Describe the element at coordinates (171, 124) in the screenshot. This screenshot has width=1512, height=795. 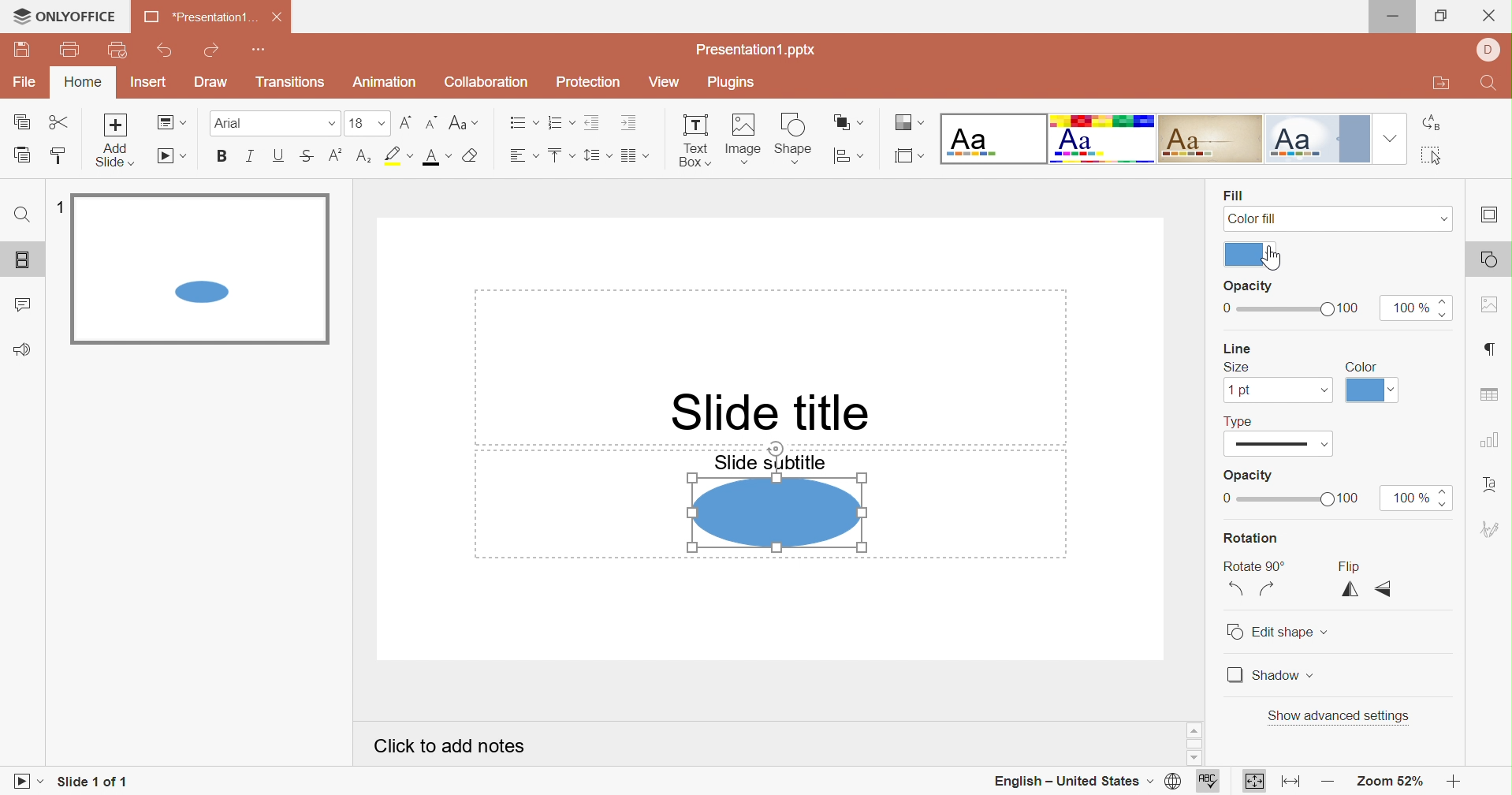
I see `Change slide layout` at that location.